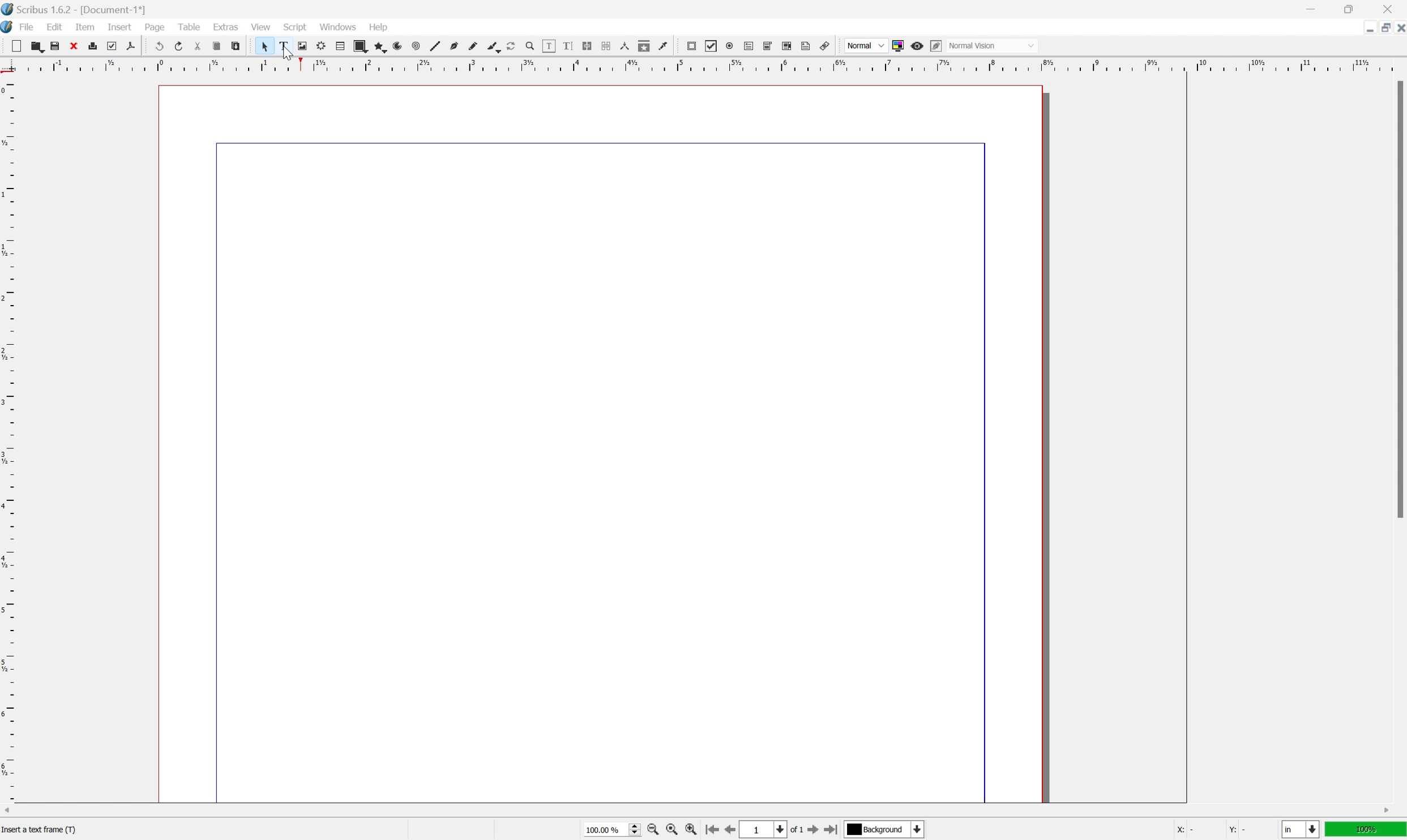 The height and width of the screenshot is (840, 1407). What do you see at coordinates (17, 45) in the screenshot?
I see `new` at bounding box center [17, 45].